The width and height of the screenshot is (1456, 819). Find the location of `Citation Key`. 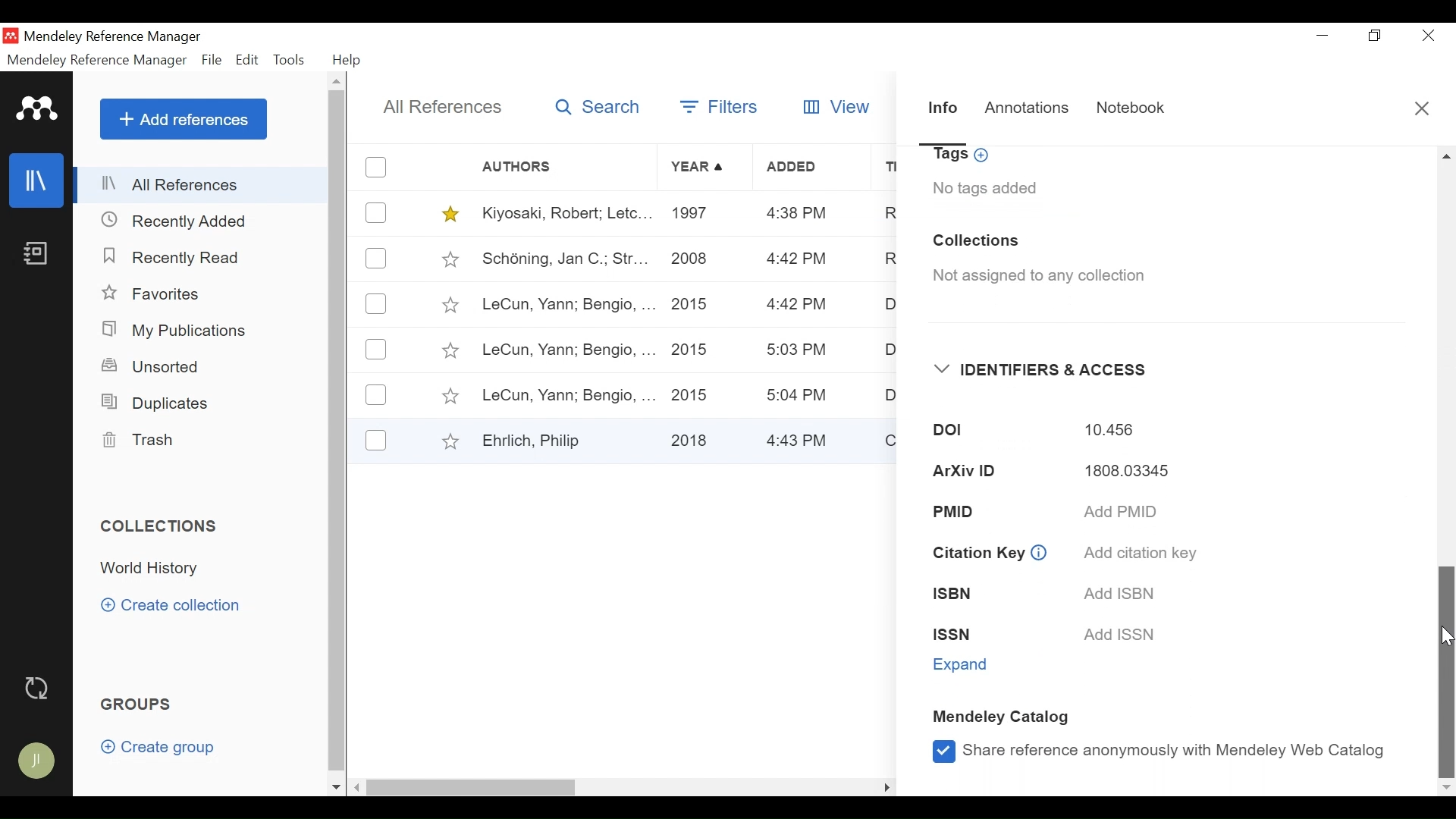

Citation Key is located at coordinates (977, 554).